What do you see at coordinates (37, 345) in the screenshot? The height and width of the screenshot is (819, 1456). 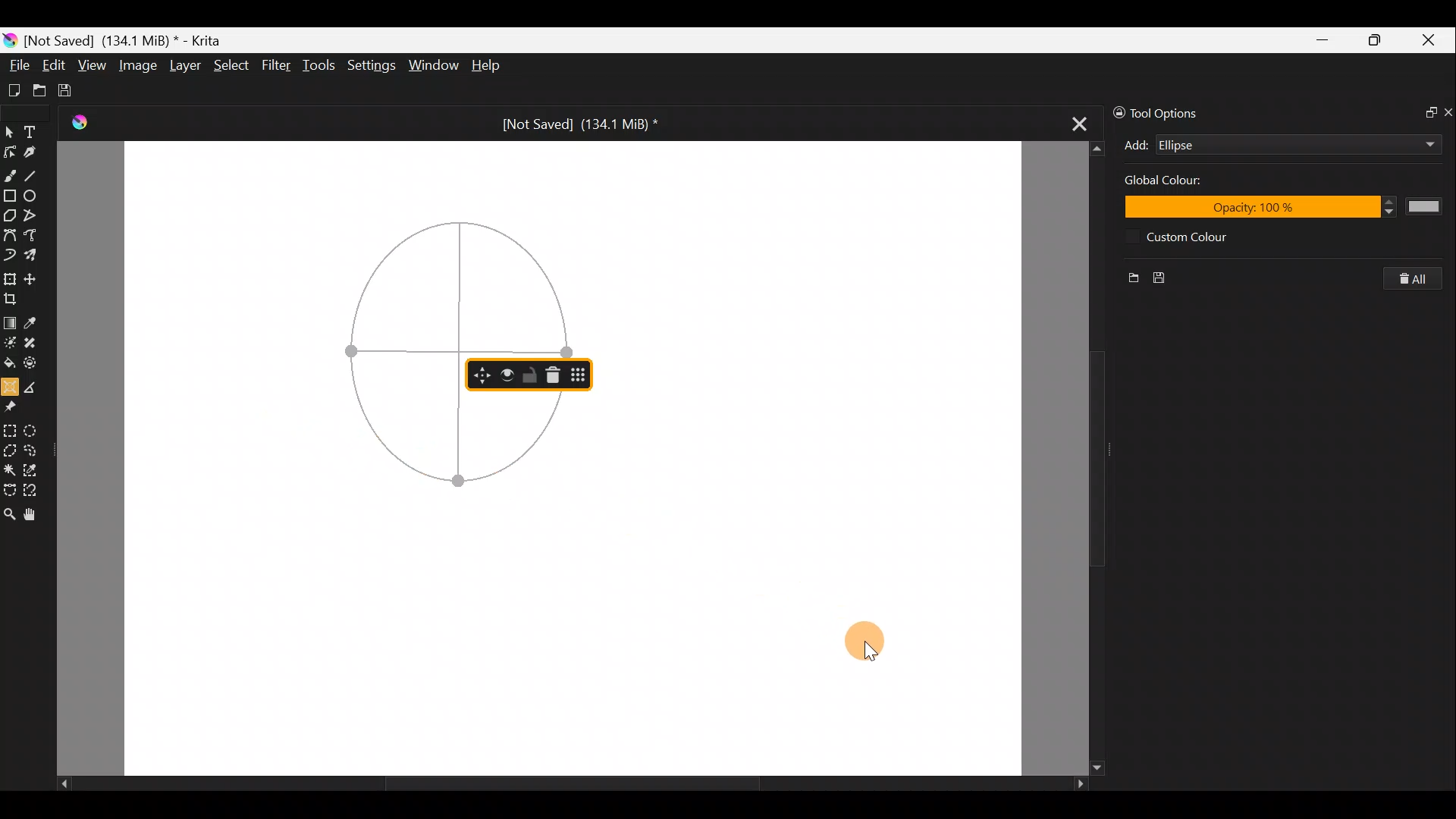 I see `Smart patch tool` at bounding box center [37, 345].